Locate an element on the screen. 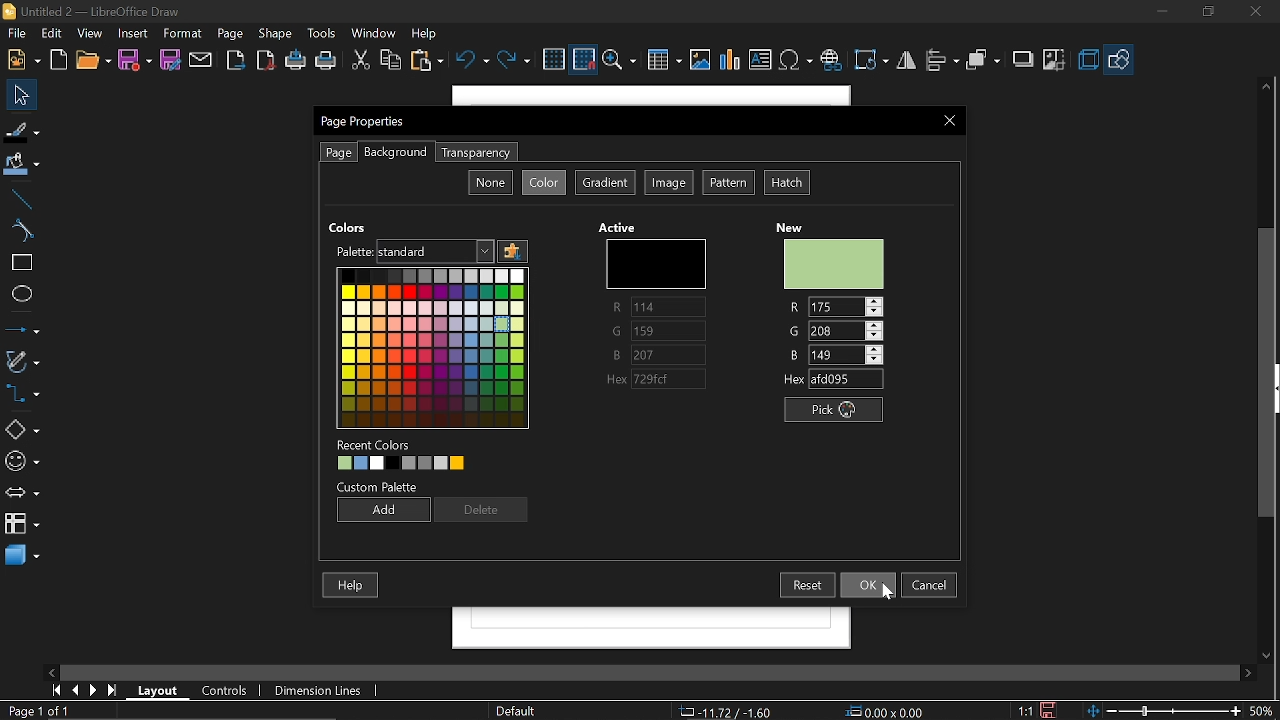 The height and width of the screenshot is (720, 1280). R is located at coordinates (839, 305).